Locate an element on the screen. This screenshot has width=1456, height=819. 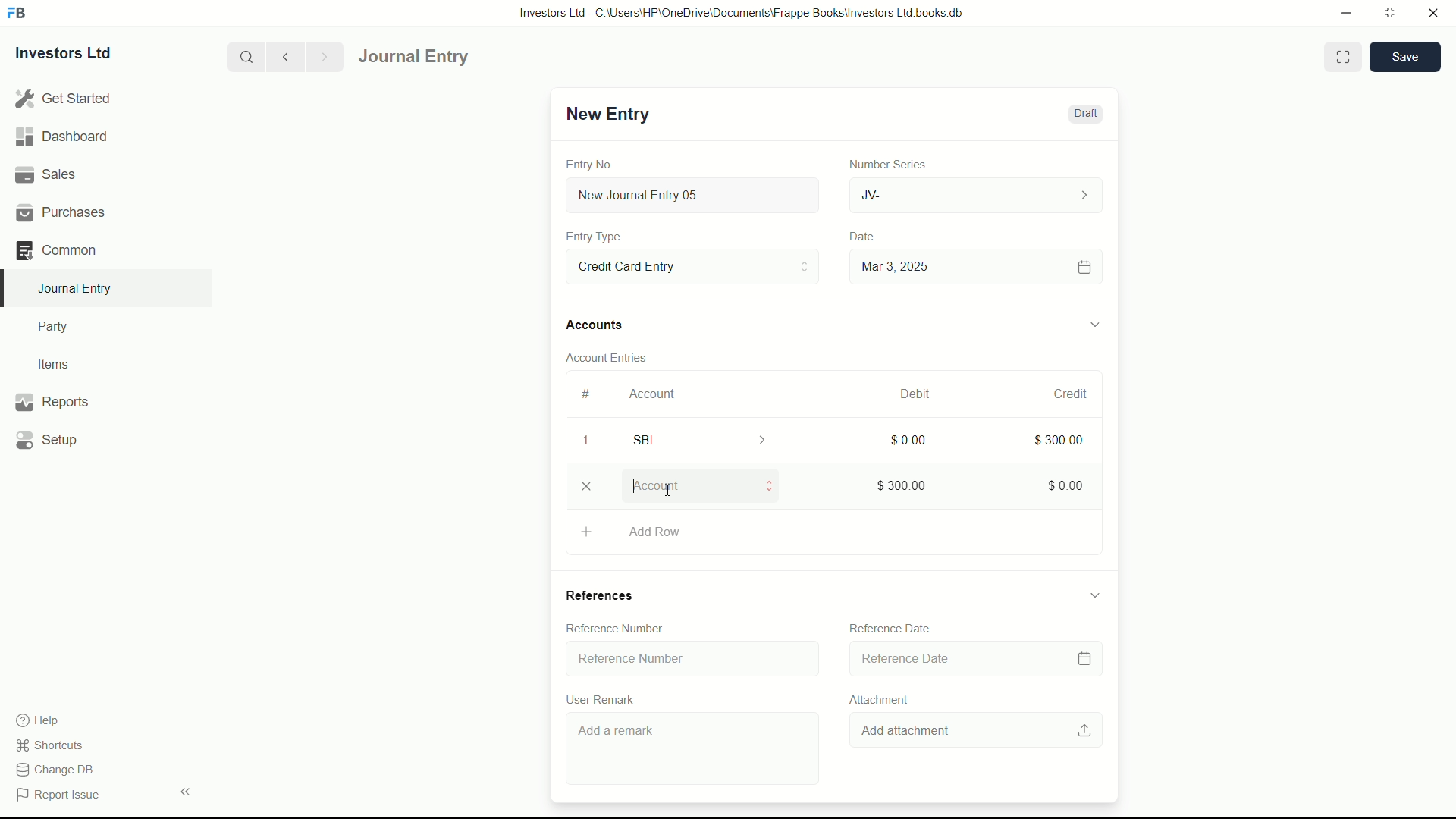
User Remark is located at coordinates (604, 698).